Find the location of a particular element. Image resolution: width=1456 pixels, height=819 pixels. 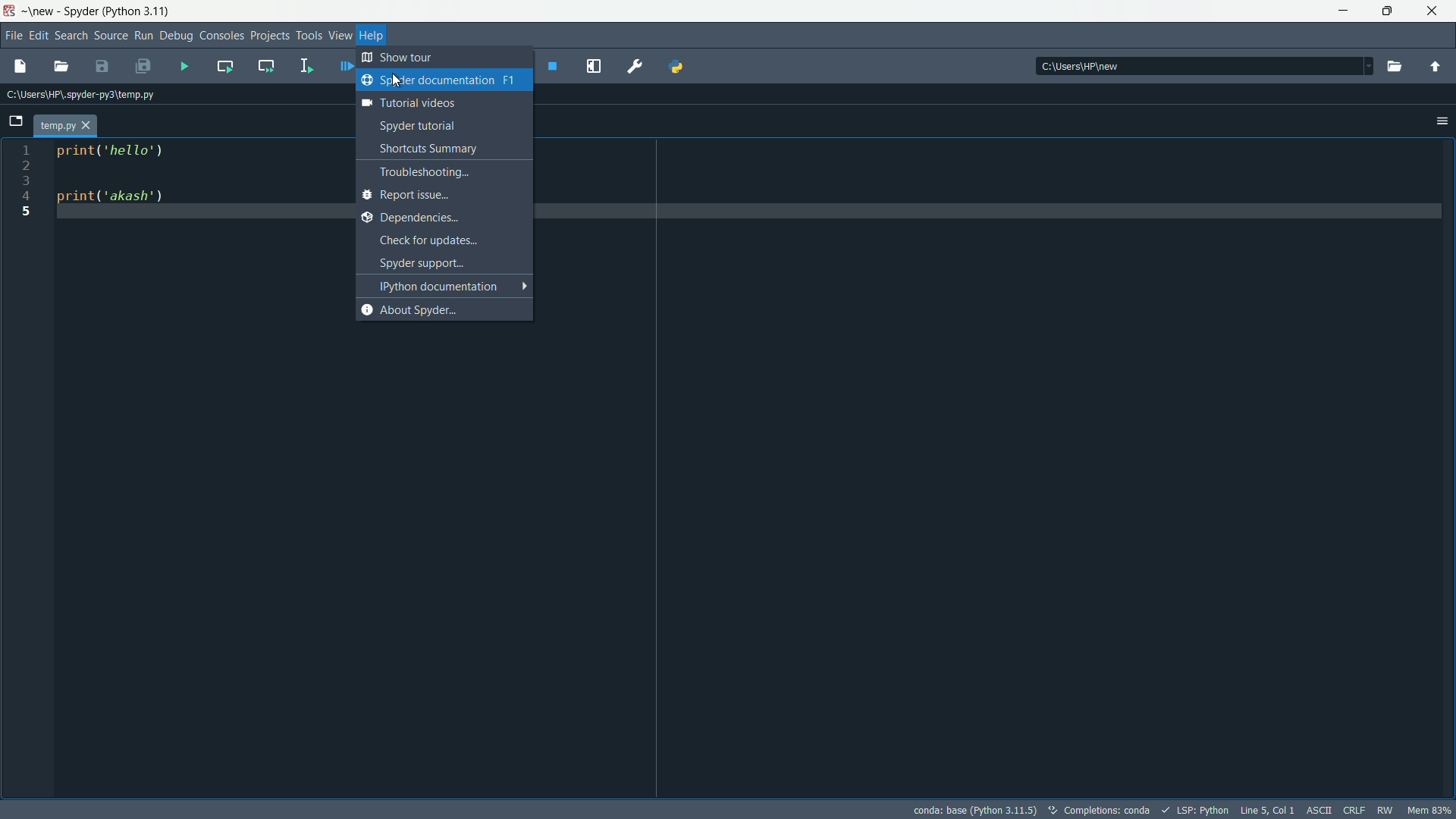

Spyder is located at coordinates (80, 11).